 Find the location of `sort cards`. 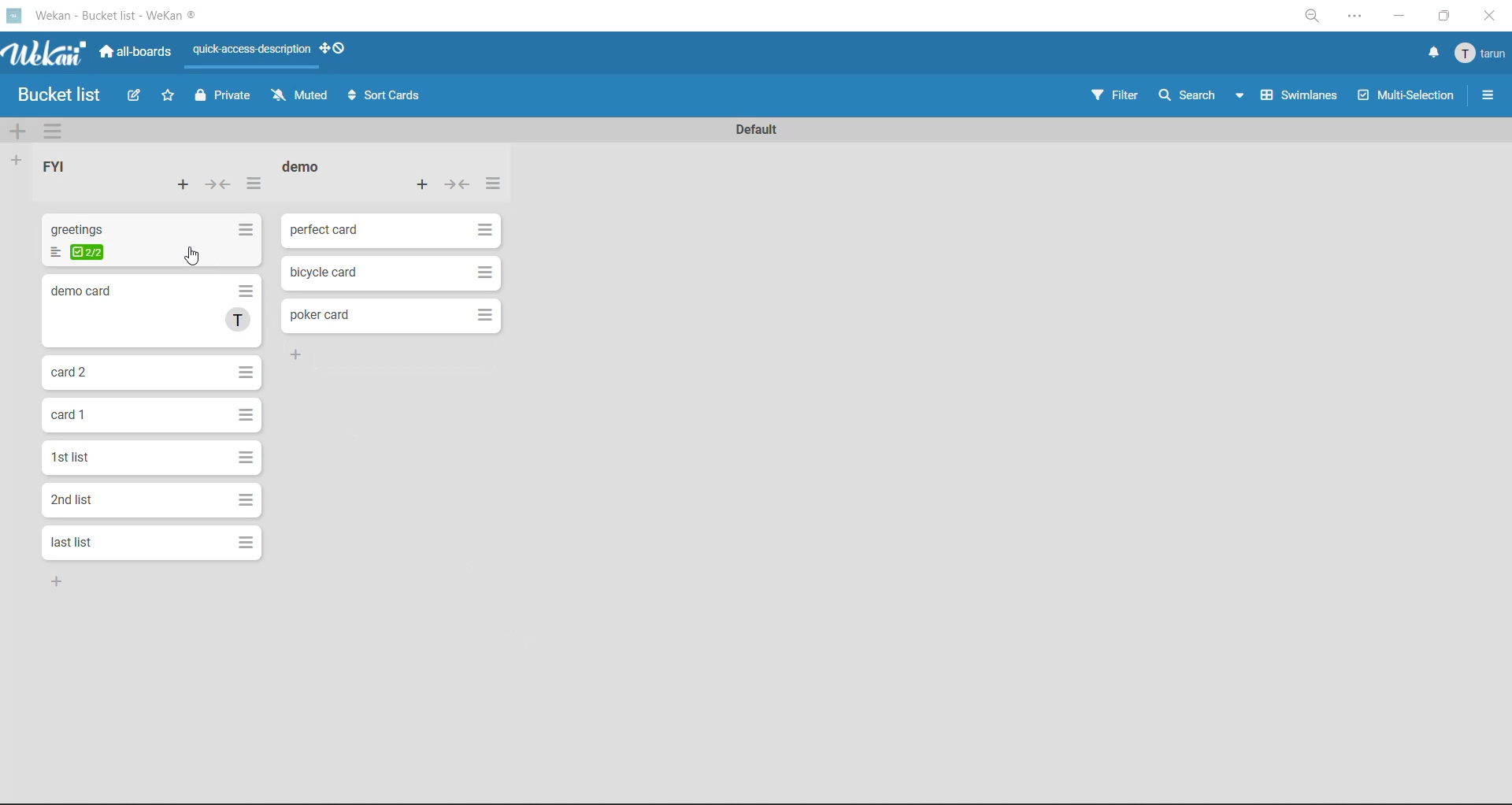

sort cards is located at coordinates (387, 95).